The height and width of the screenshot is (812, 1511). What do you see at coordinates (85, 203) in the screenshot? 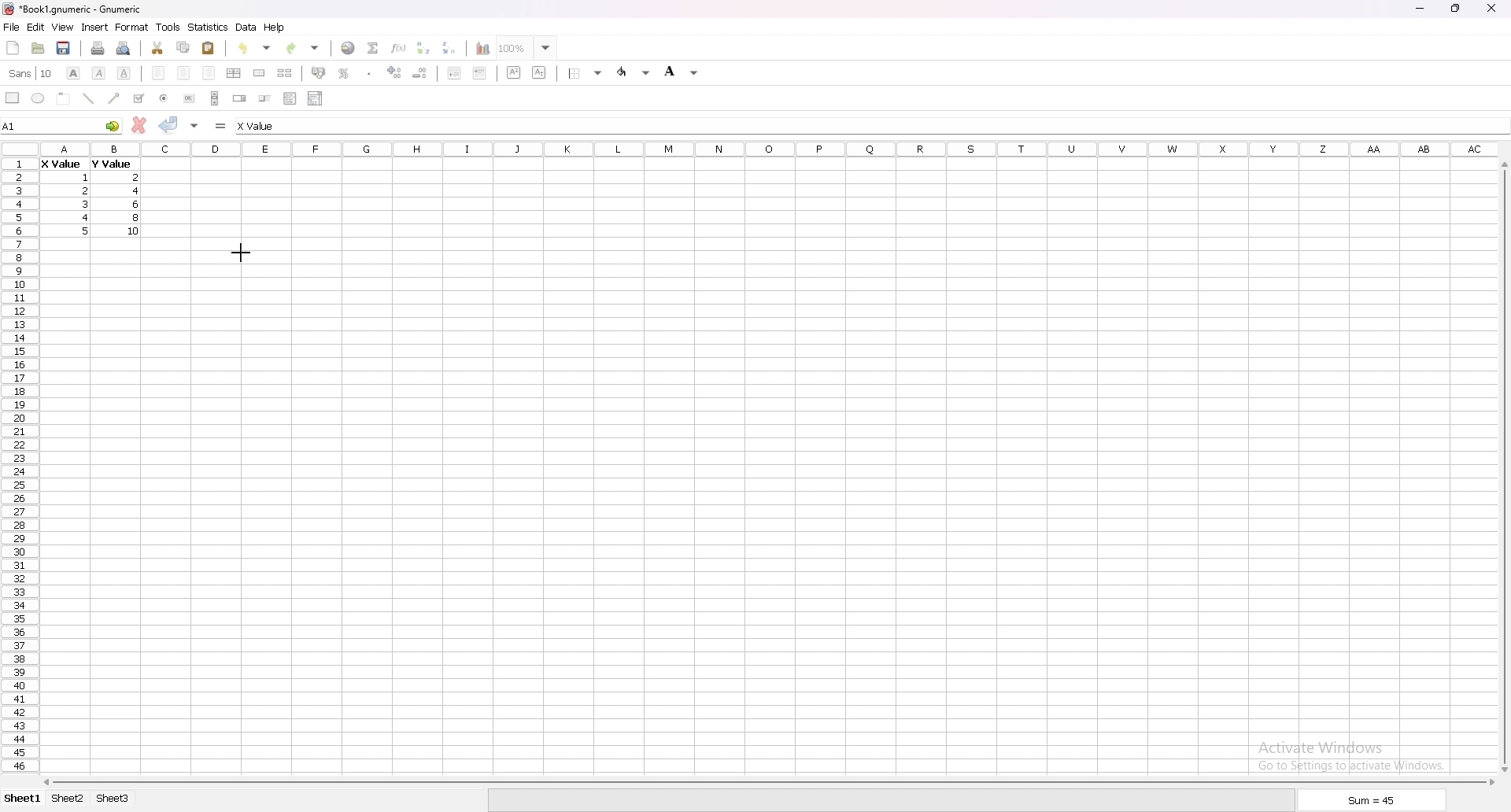
I see `value` at bounding box center [85, 203].